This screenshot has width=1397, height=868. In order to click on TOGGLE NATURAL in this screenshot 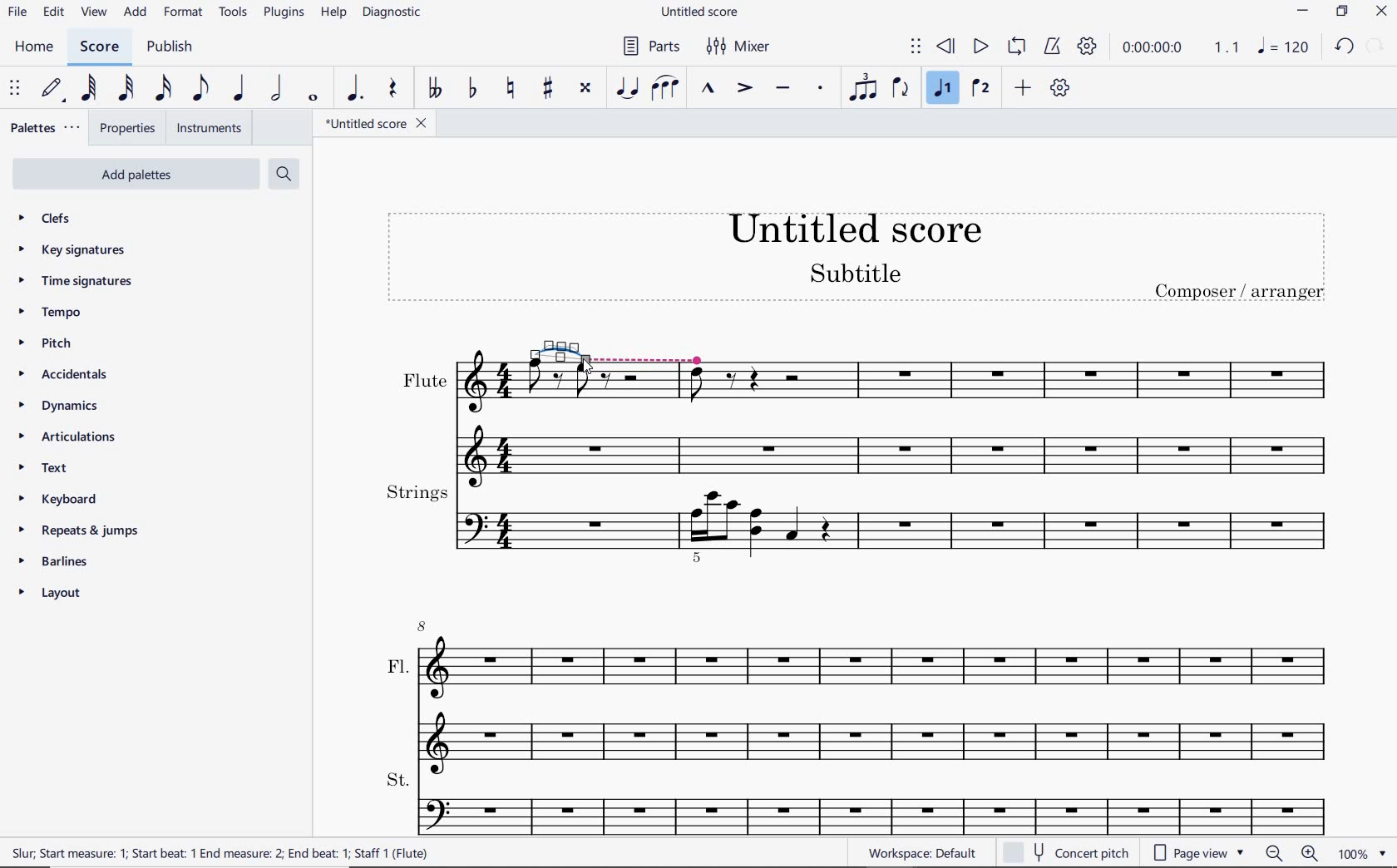, I will do `click(508, 89)`.